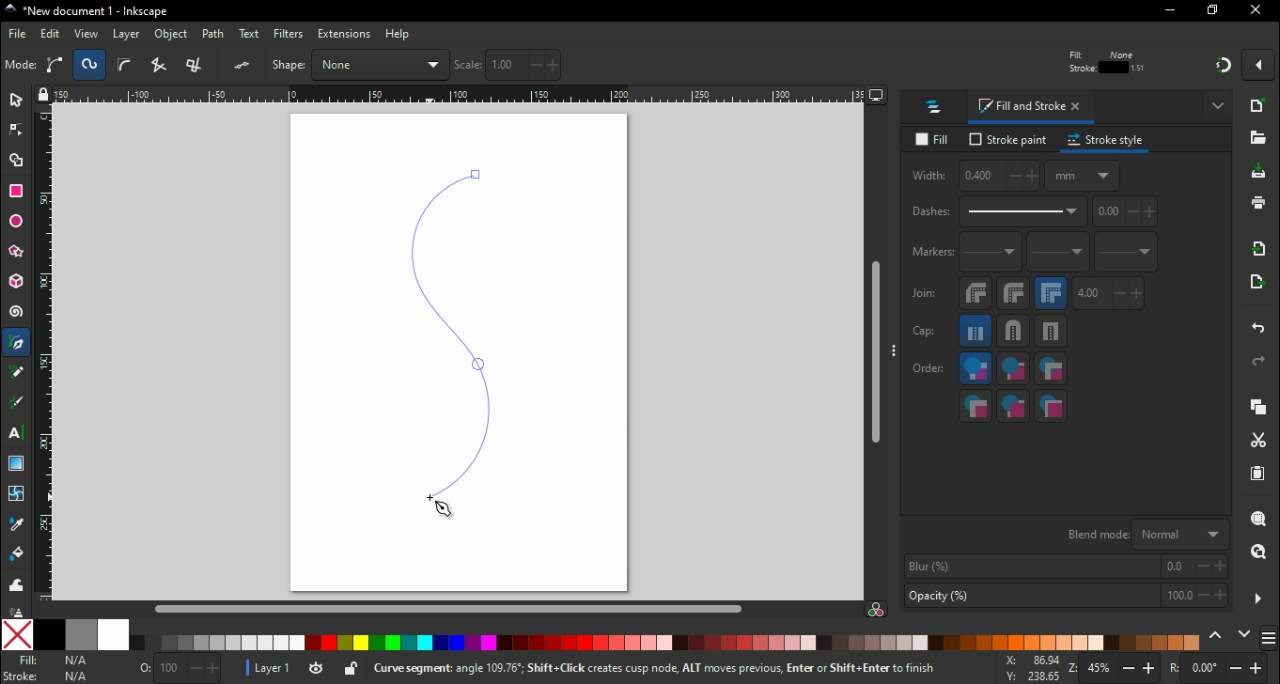  What do you see at coordinates (16, 220) in the screenshot?
I see `ellipse / arc tool` at bounding box center [16, 220].